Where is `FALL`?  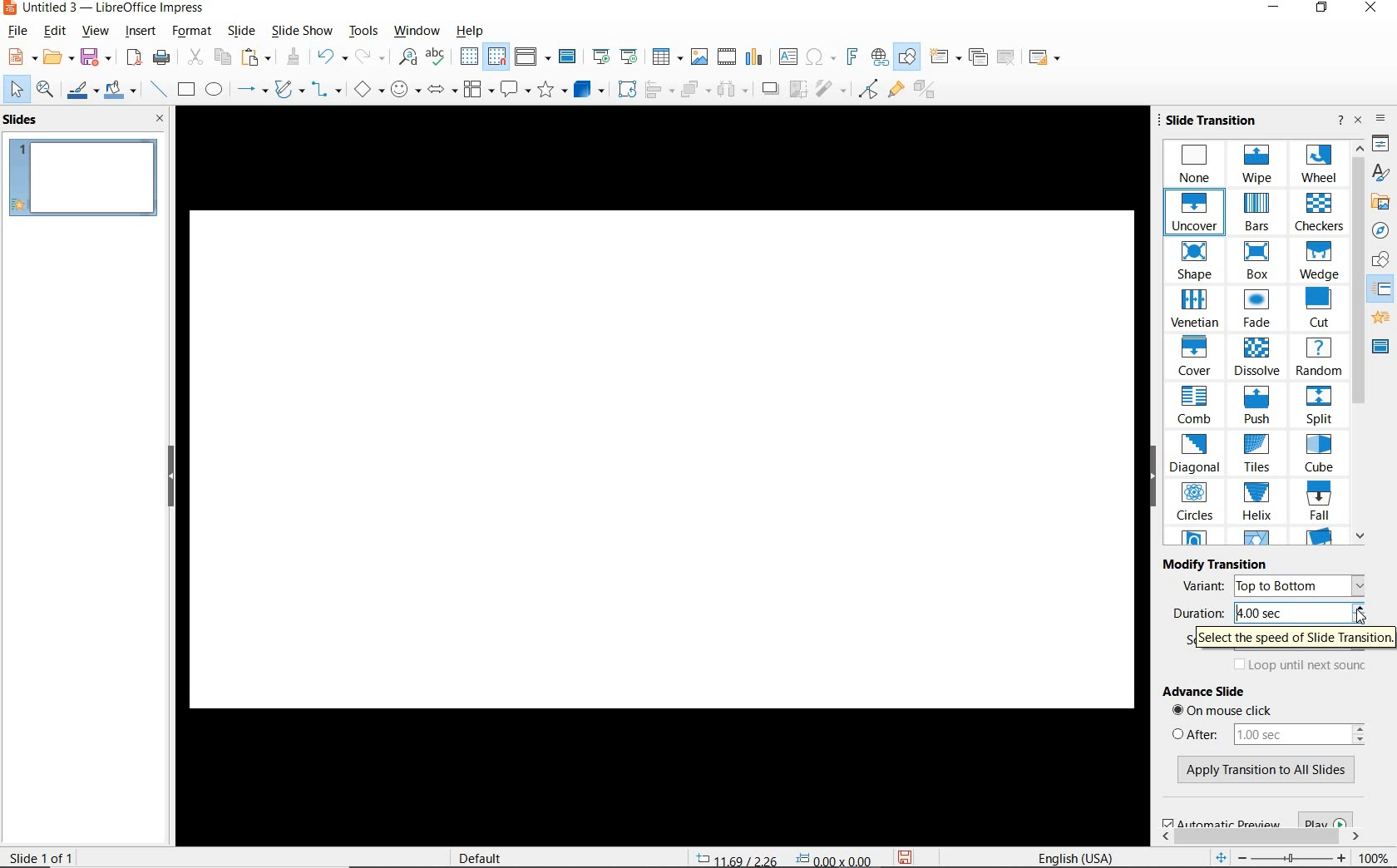 FALL is located at coordinates (1318, 503).